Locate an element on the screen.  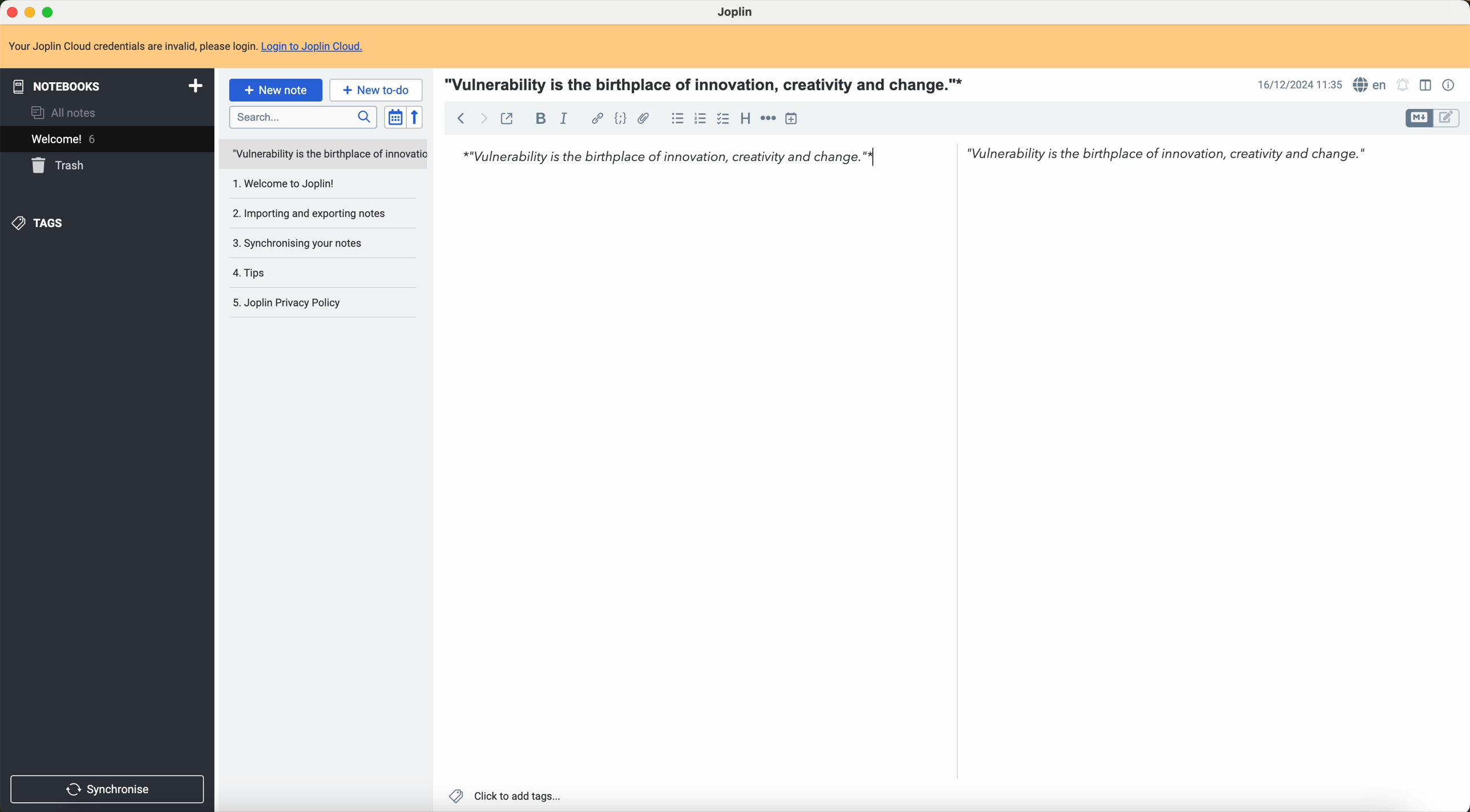
toggle editor is located at coordinates (1416, 118).